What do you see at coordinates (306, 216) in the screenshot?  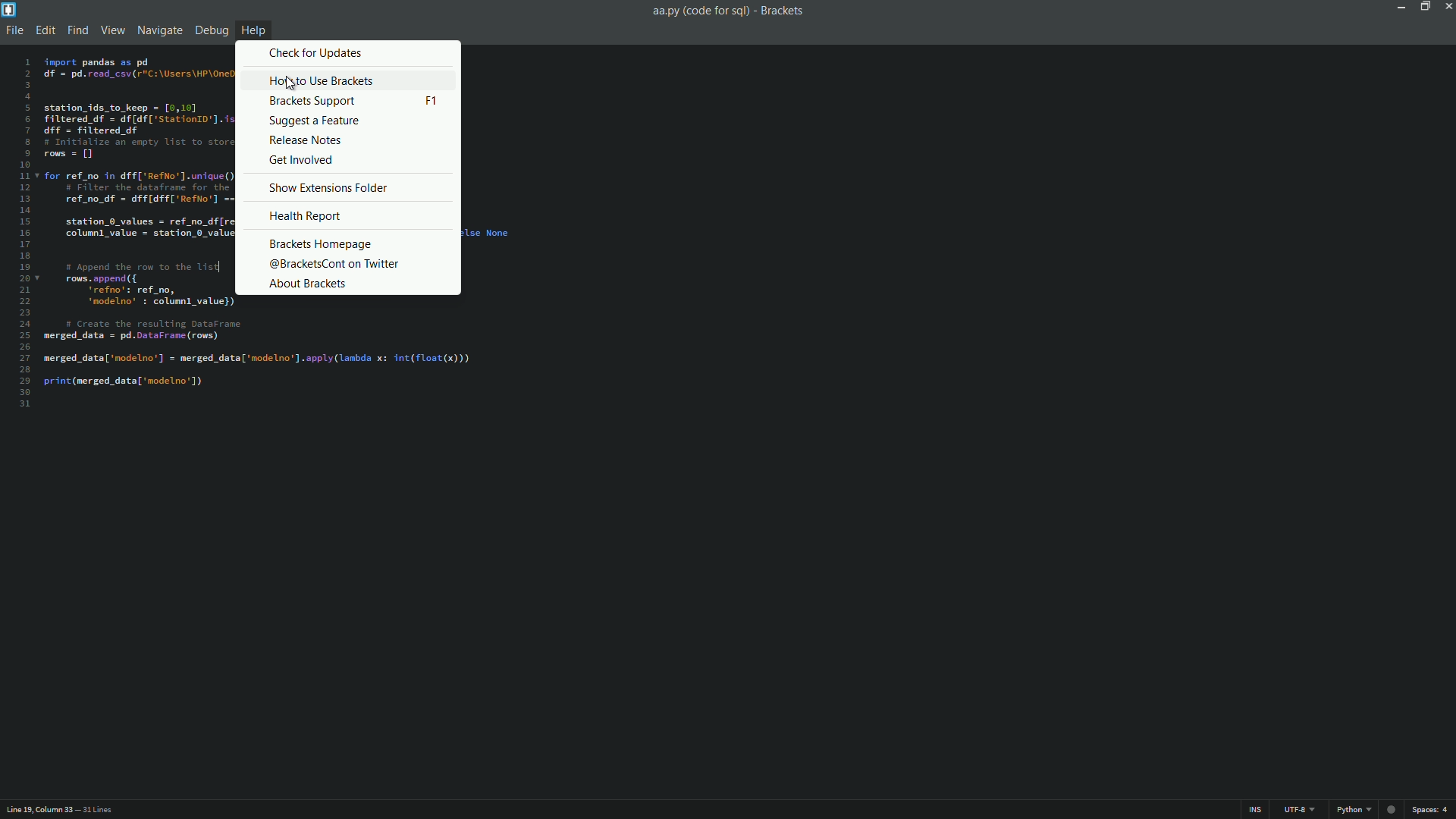 I see `health report` at bounding box center [306, 216].